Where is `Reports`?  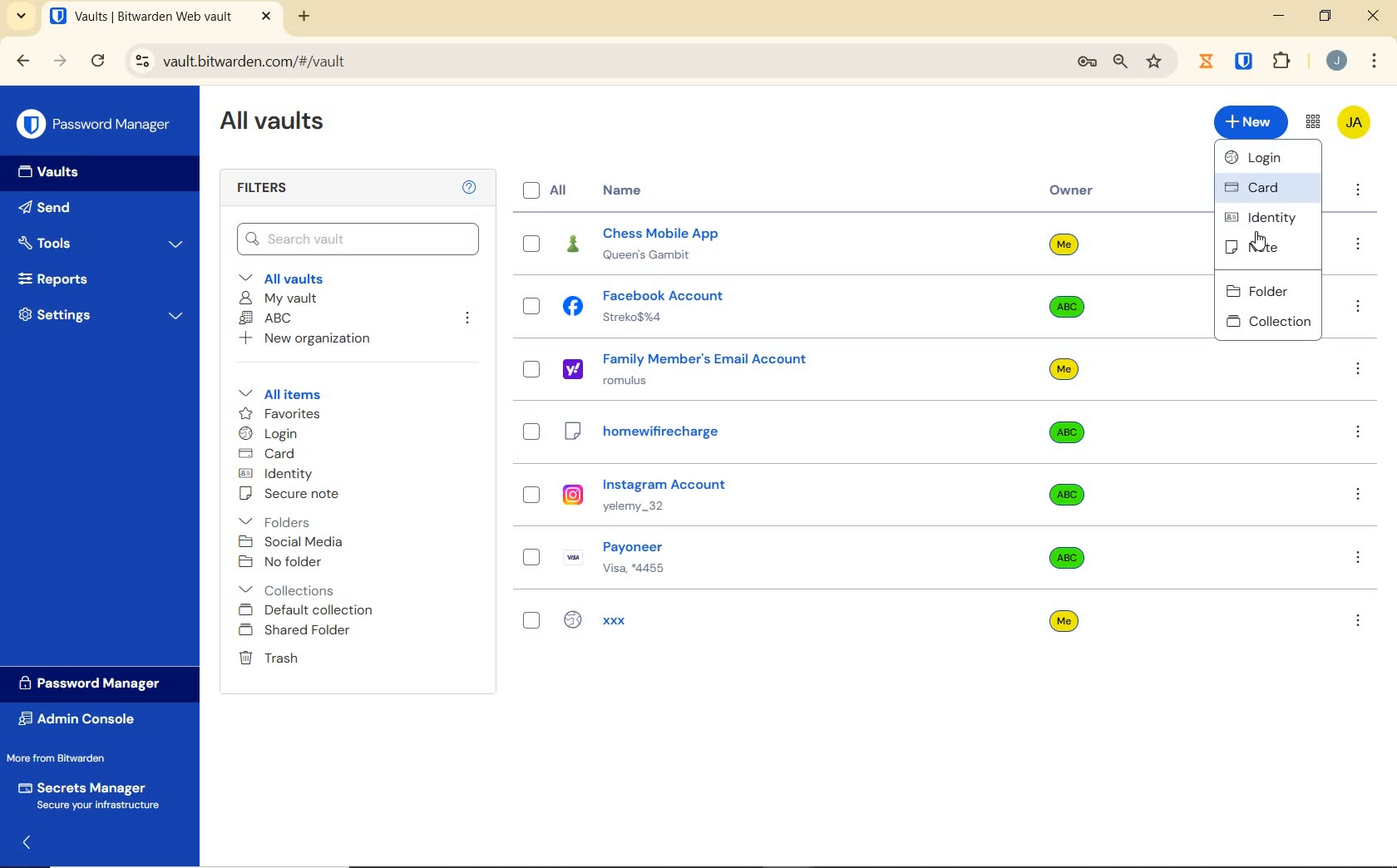 Reports is located at coordinates (95, 280).